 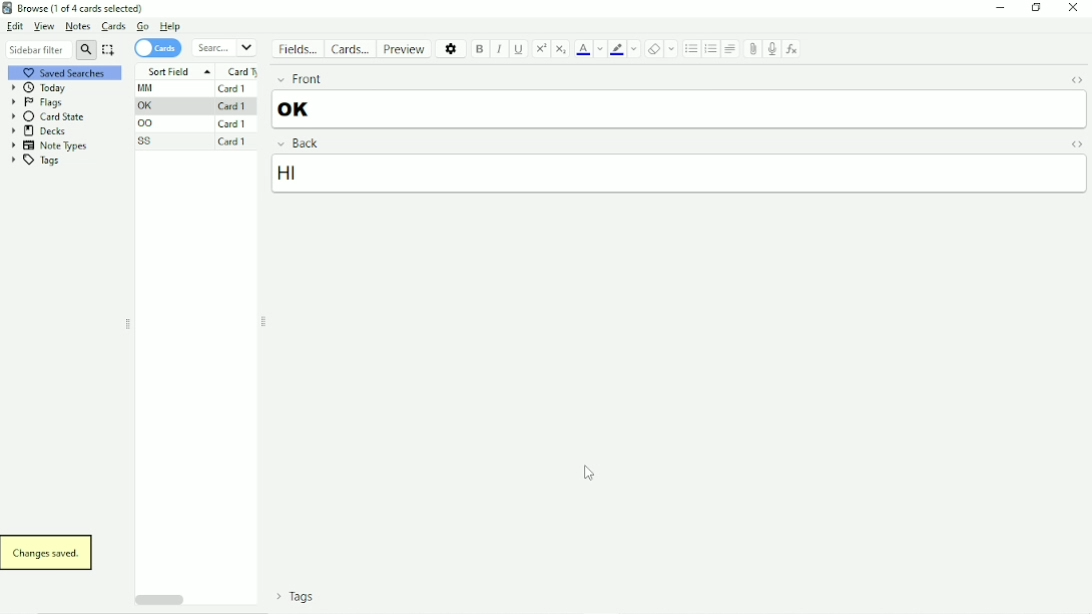 What do you see at coordinates (654, 48) in the screenshot?
I see `Remove formatting` at bounding box center [654, 48].